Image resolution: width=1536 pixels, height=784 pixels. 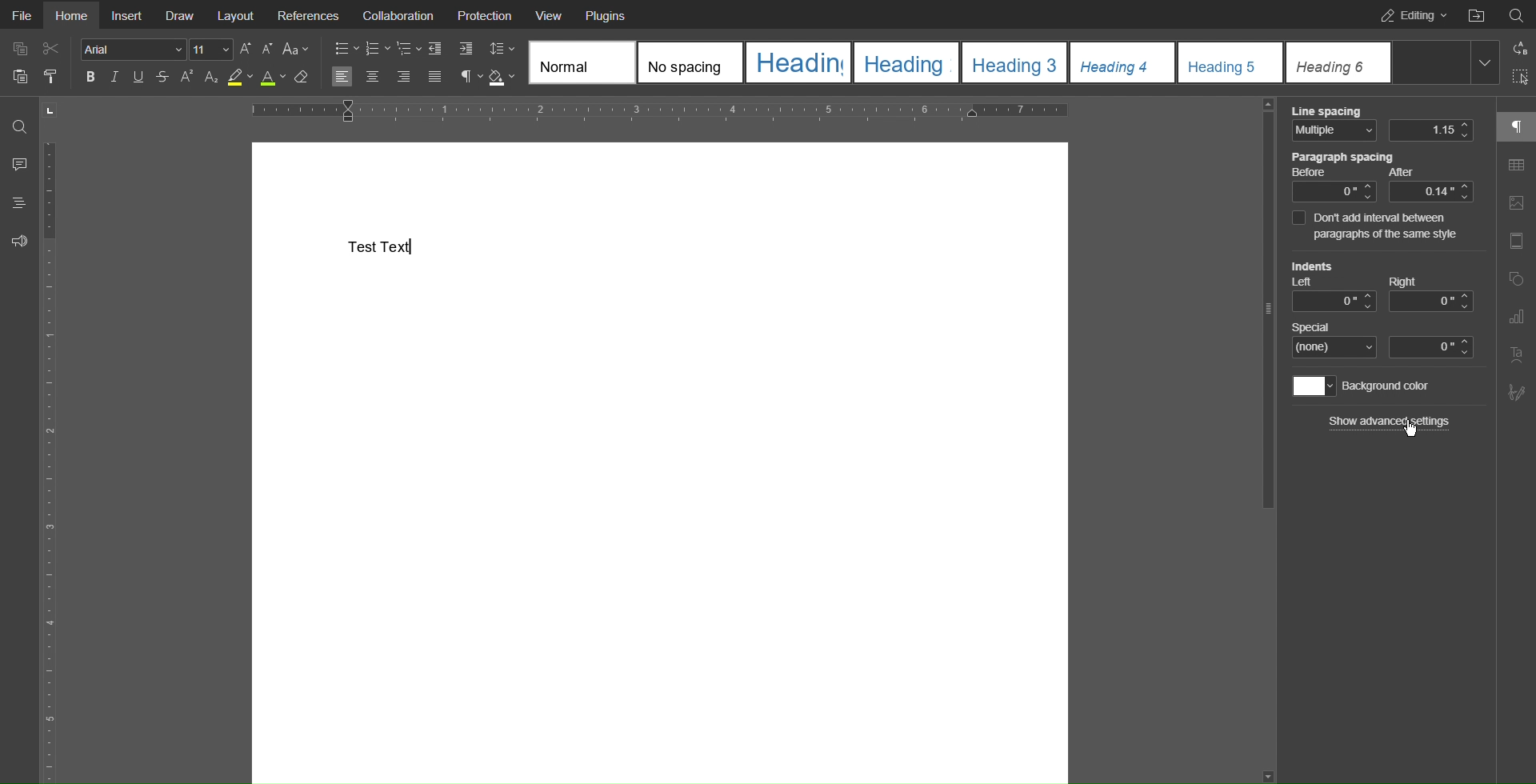 What do you see at coordinates (35, 66) in the screenshot?
I see `Cut Copy Paste Options` at bounding box center [35, 66].